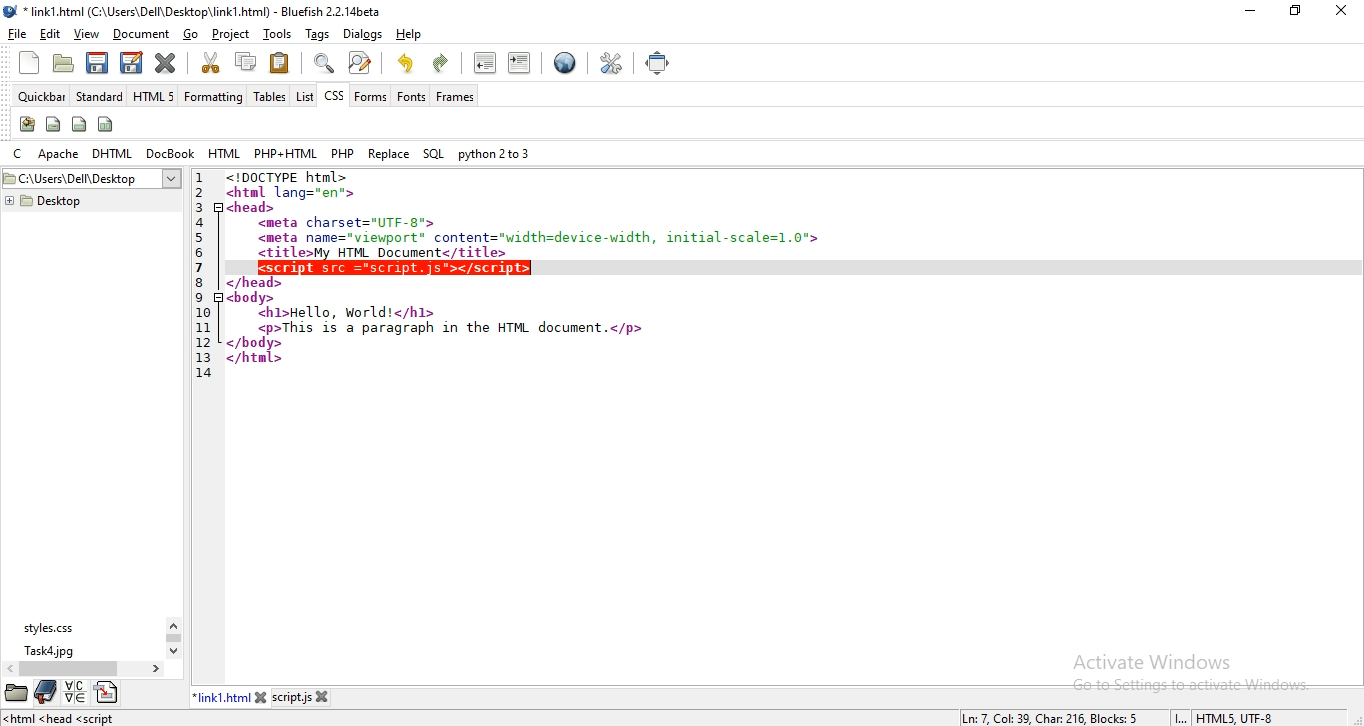 The height and width of the screenshot is (726, 1364). Describe the element at coordinates (286, 152) in the screenshot. I see `php + html` at that location.